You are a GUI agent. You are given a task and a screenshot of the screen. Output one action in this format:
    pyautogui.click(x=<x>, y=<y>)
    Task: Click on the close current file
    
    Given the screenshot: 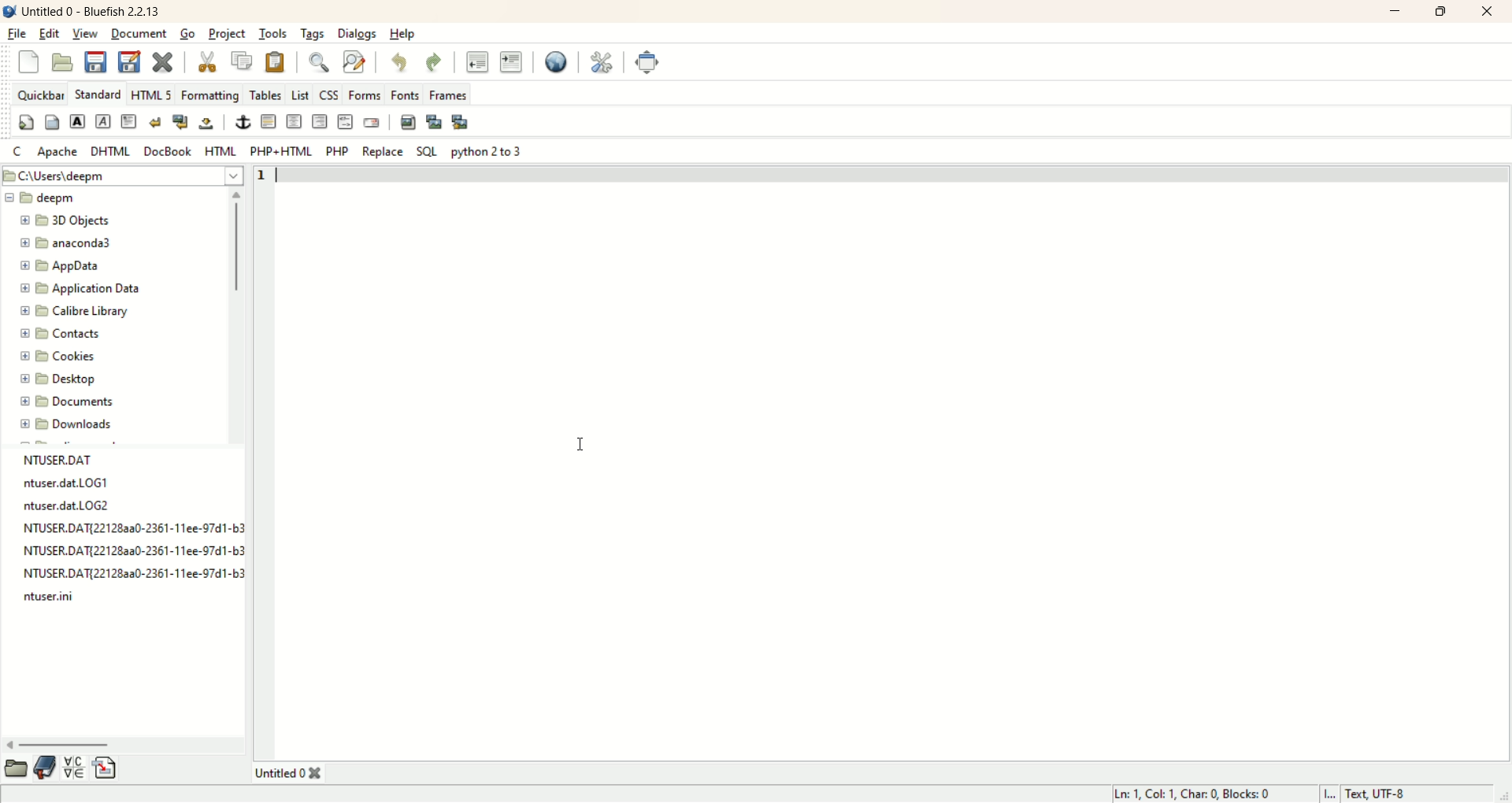 What is the action you would take?
    pyautogui.click(x=166, y=61)
    